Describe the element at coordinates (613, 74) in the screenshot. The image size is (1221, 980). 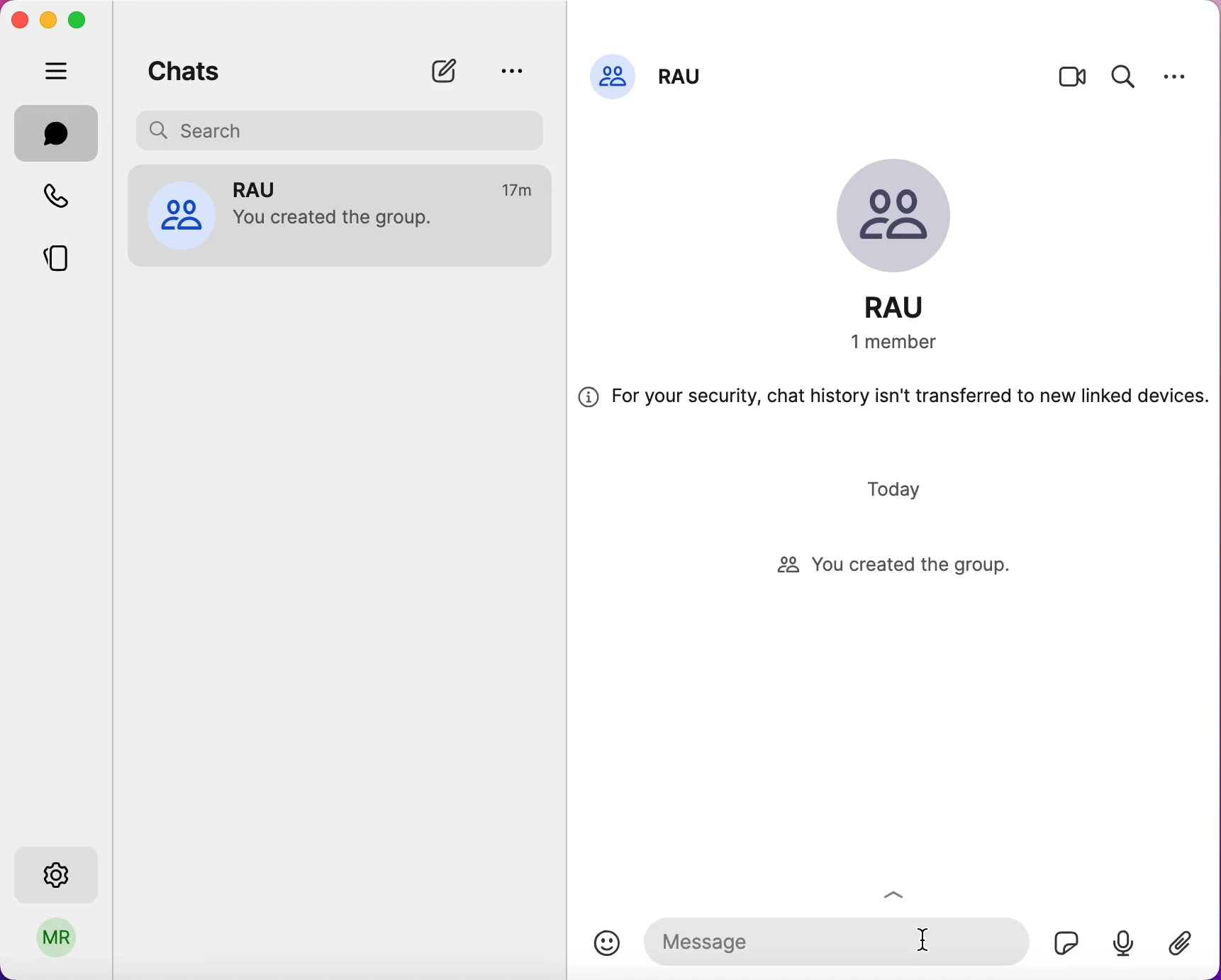
I see `profile picture` at that location.